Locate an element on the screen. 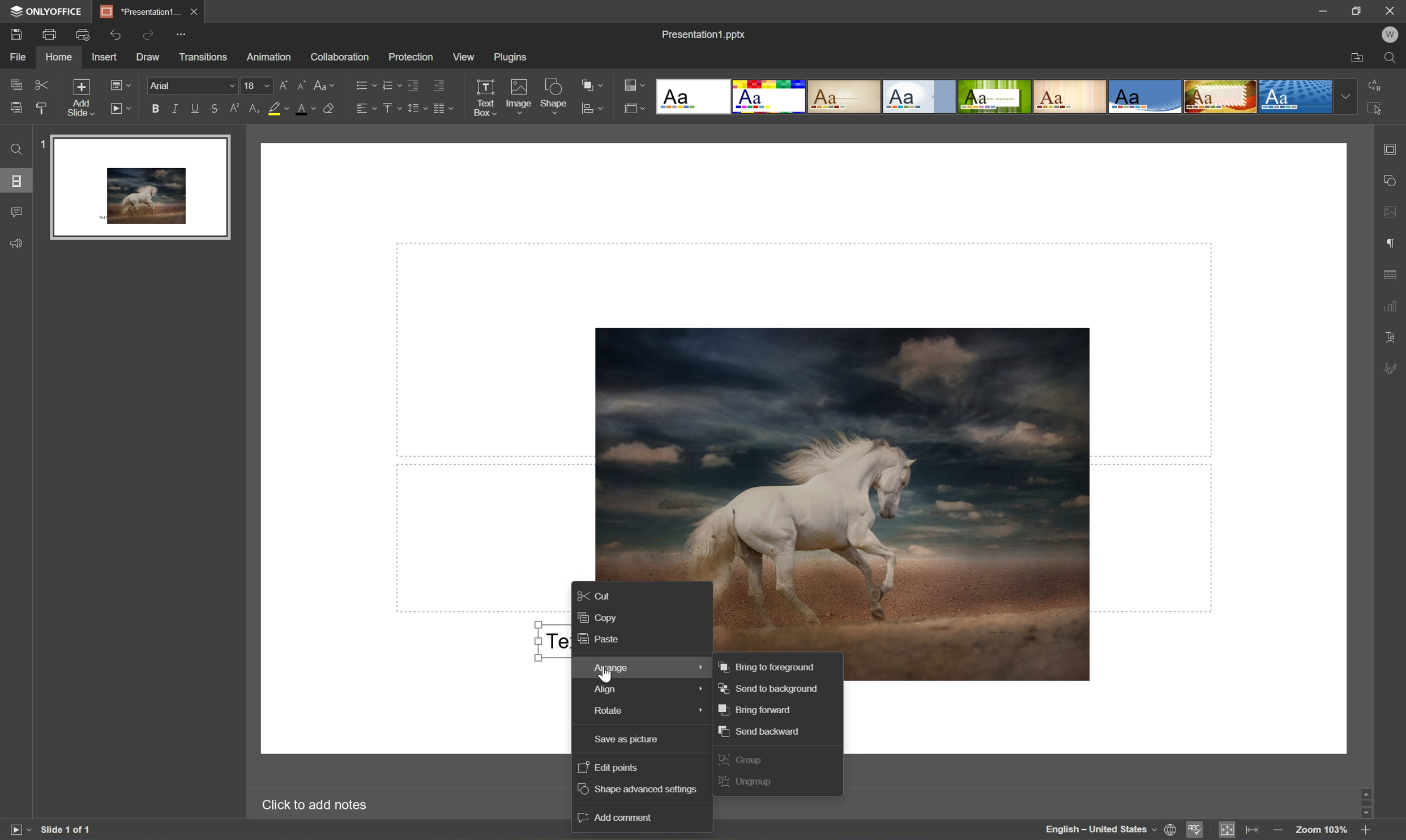  Home is located at coordinates (60, 58).